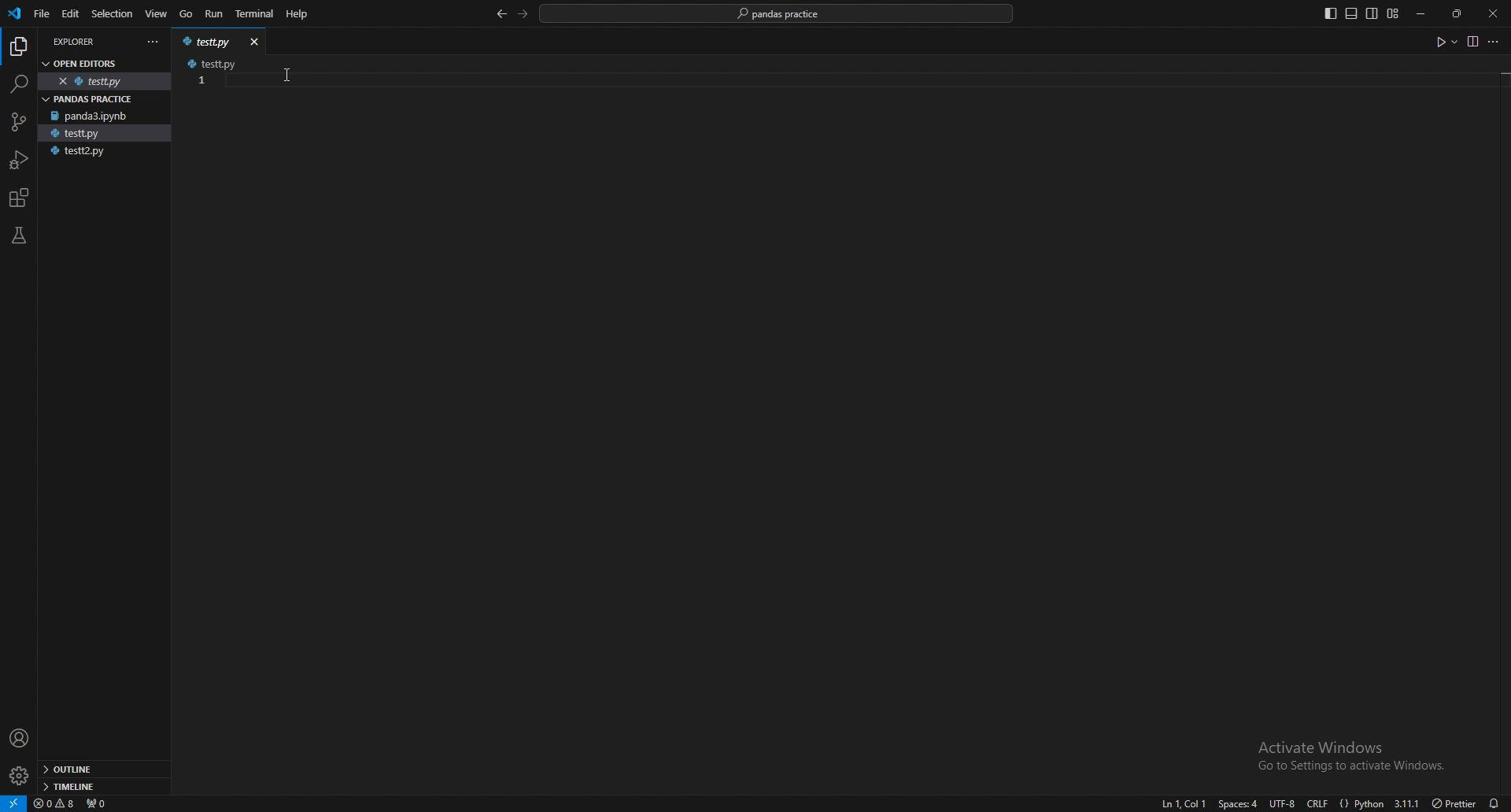 This screenshot has width=1511, height=812. Describe the element at coordinates (101, 770) in the screenshot. I see `outline` at that location.